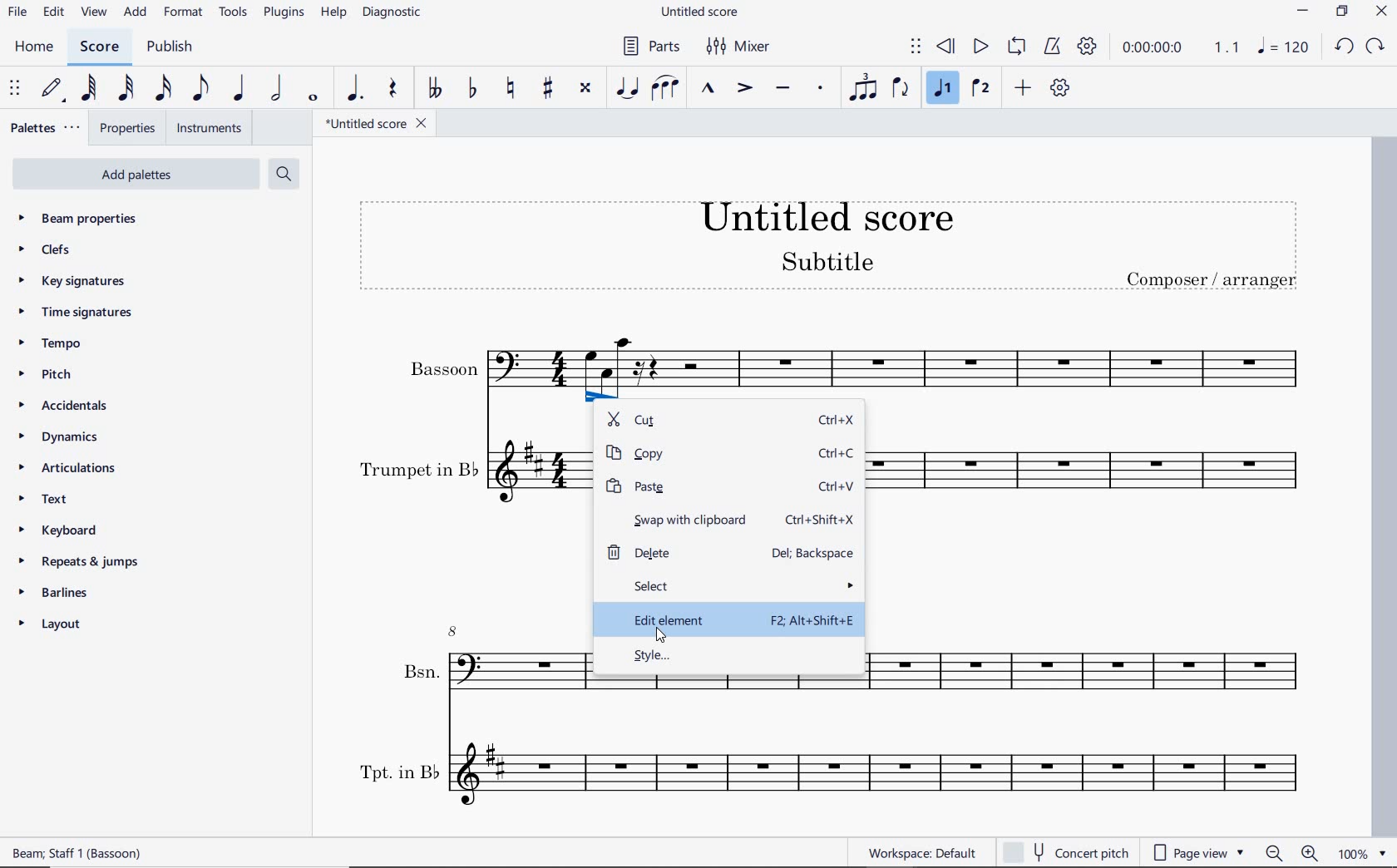  Describe the element at coordinates (901, 89) in the screenshot. I see `flip direction` at that location.